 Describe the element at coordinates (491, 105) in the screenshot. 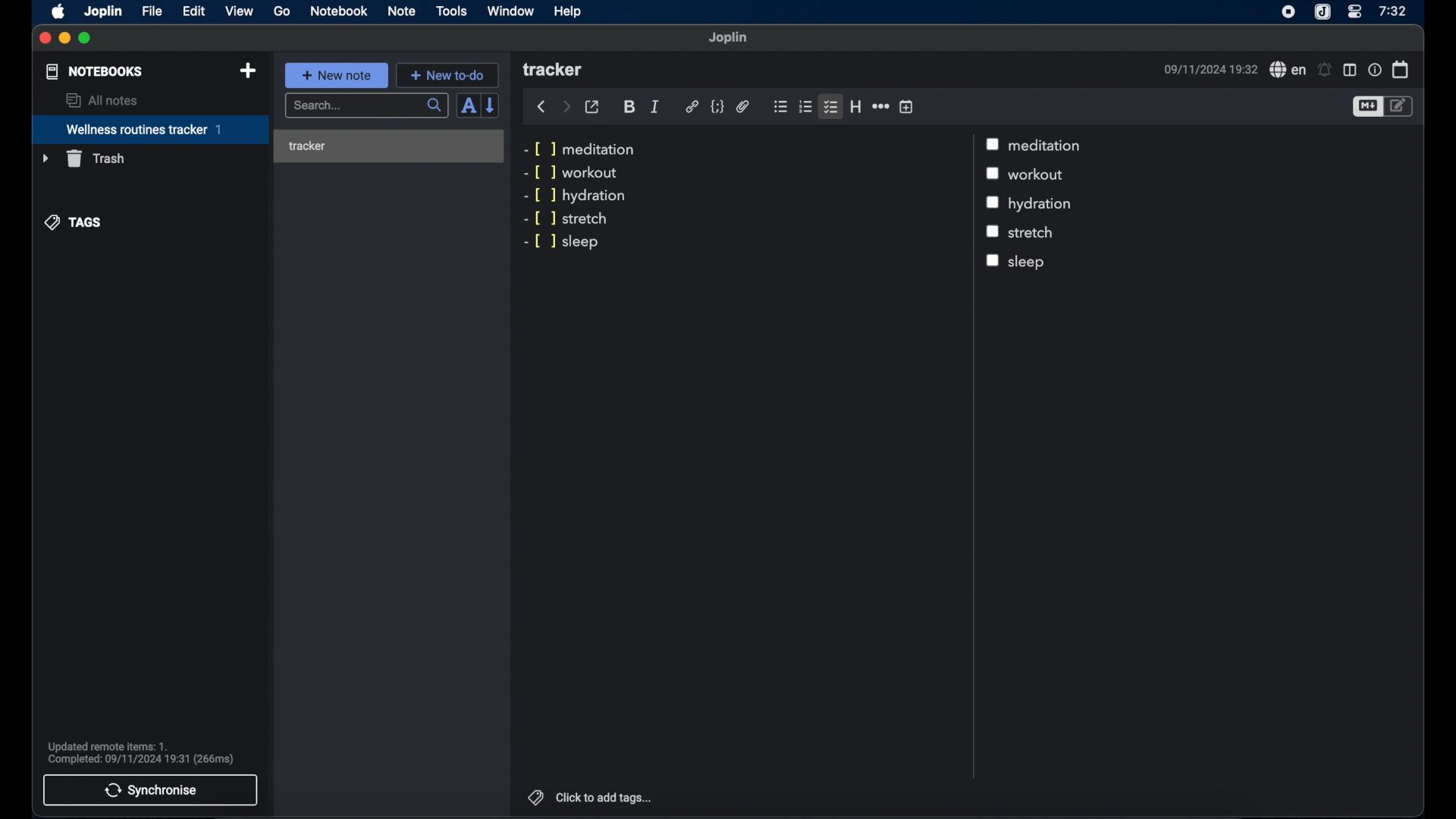

I see `reverse sort order` at that location.